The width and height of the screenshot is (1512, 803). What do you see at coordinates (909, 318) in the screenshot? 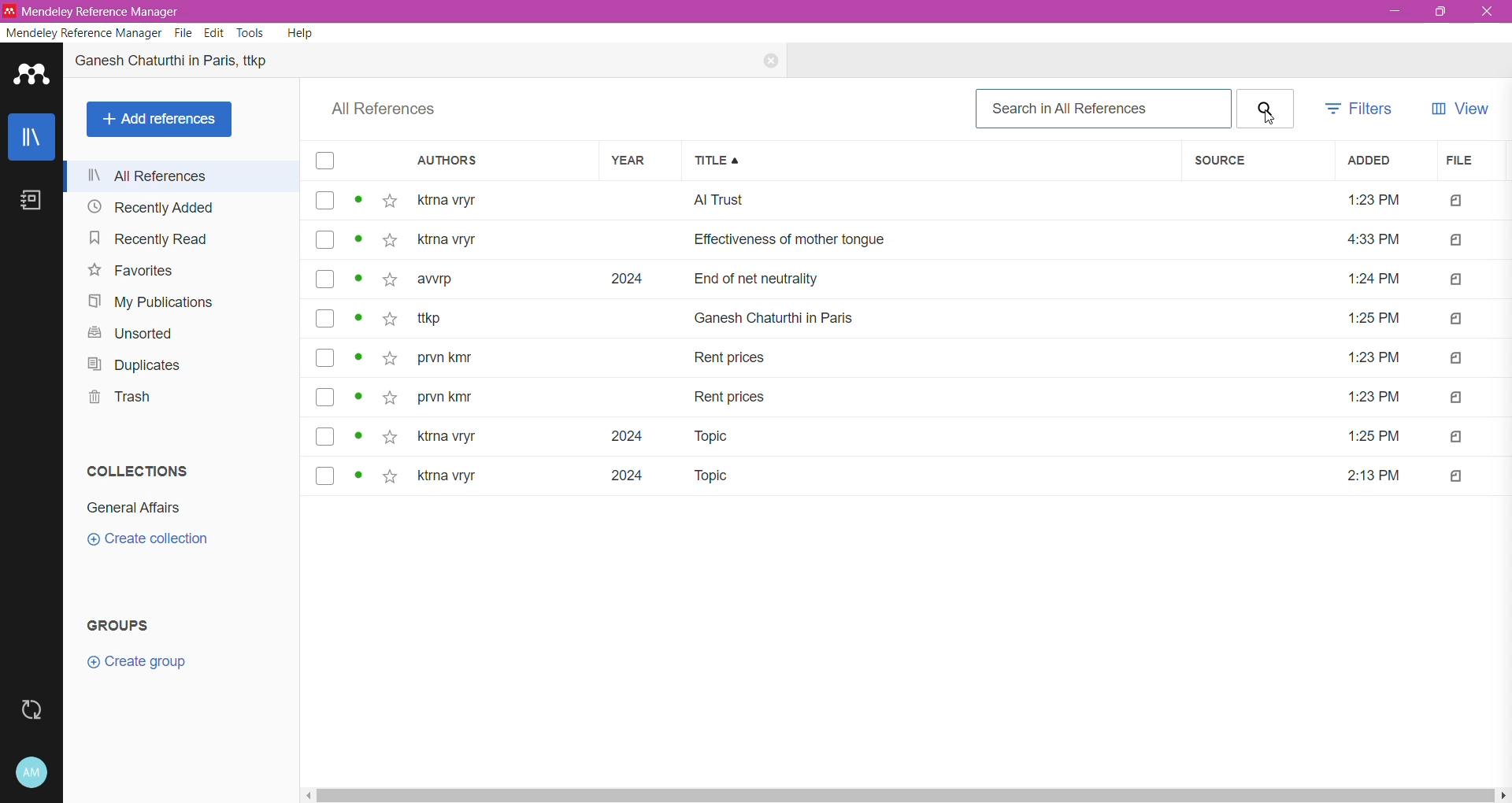
I see `r ttkp Ganesh Chaturthi in Paris 1:25 PM` at bounding box center [909, 318].